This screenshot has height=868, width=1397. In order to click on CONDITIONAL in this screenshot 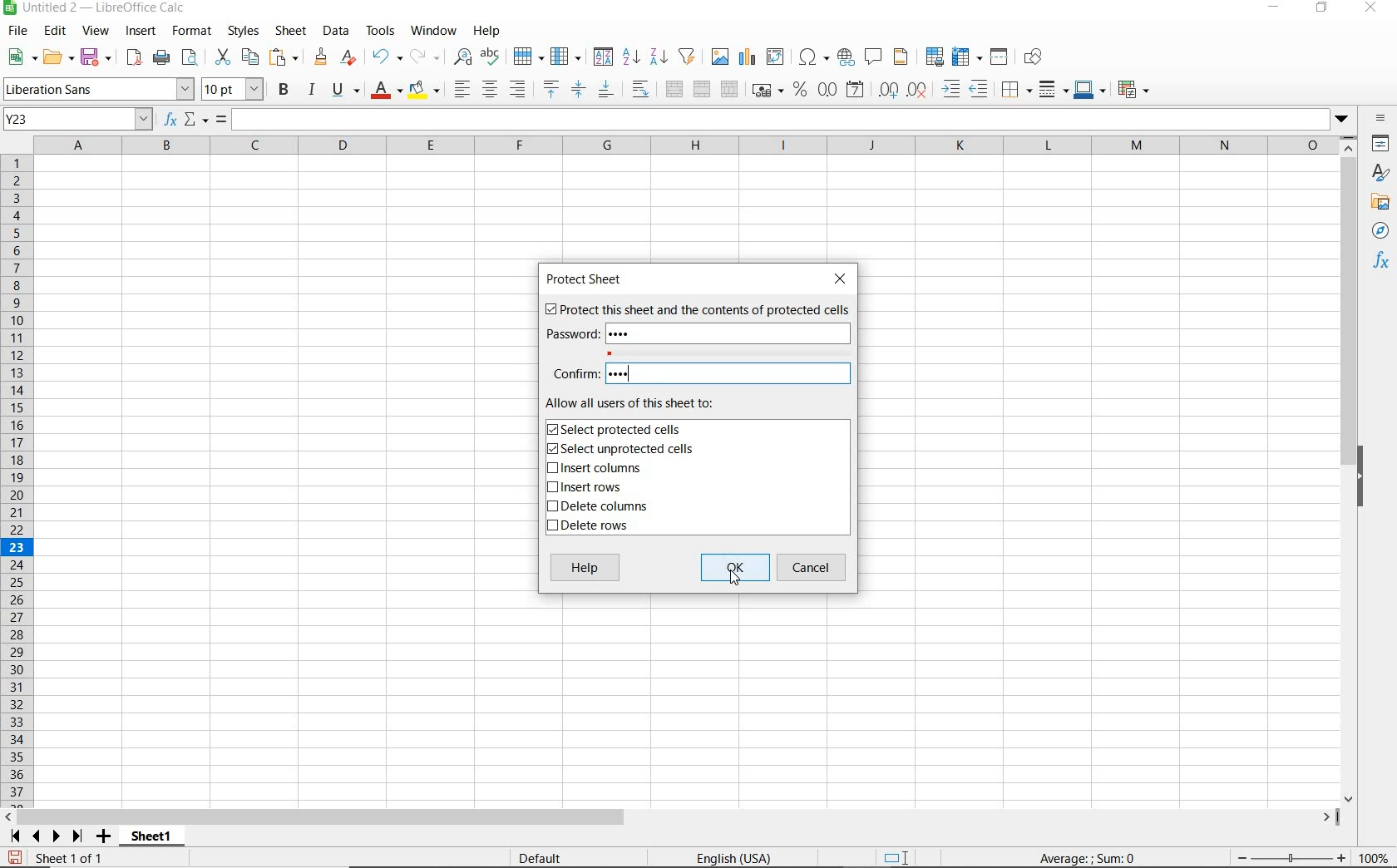, I will do `click(1133, 89)`.